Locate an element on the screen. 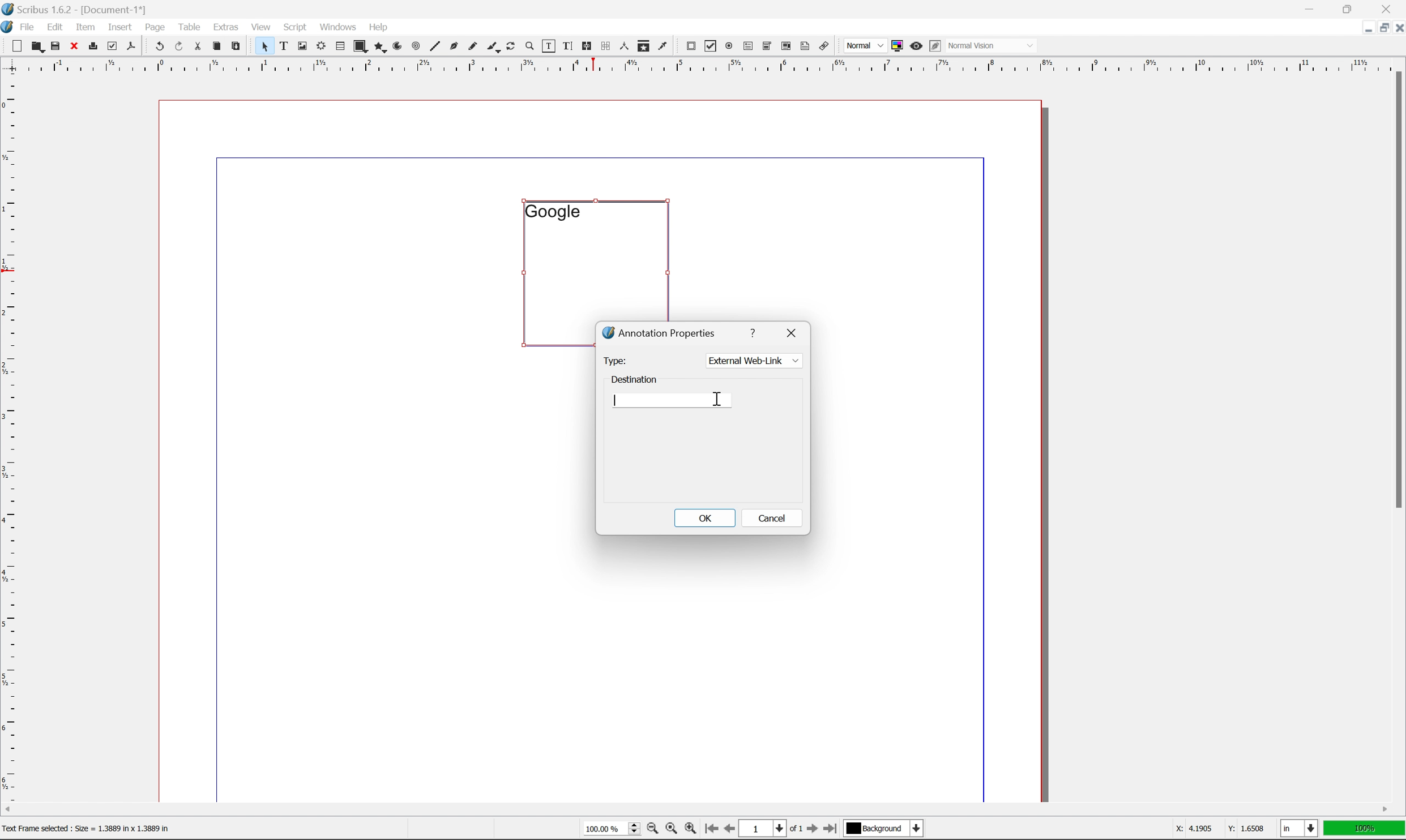  eye dropper is located at coordinates (663, 45).